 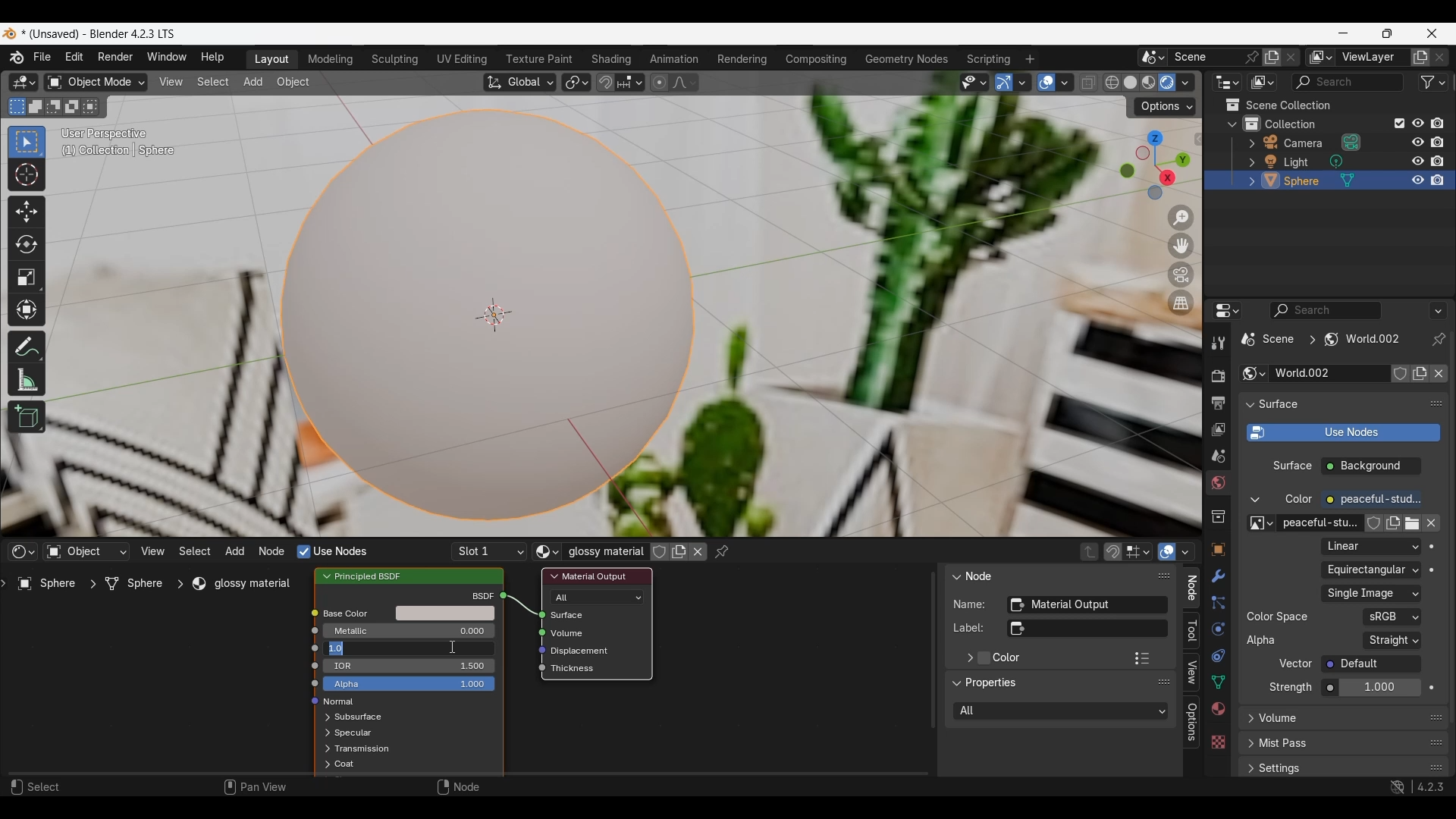 I want to click on Select, so click(x=37, y=786).